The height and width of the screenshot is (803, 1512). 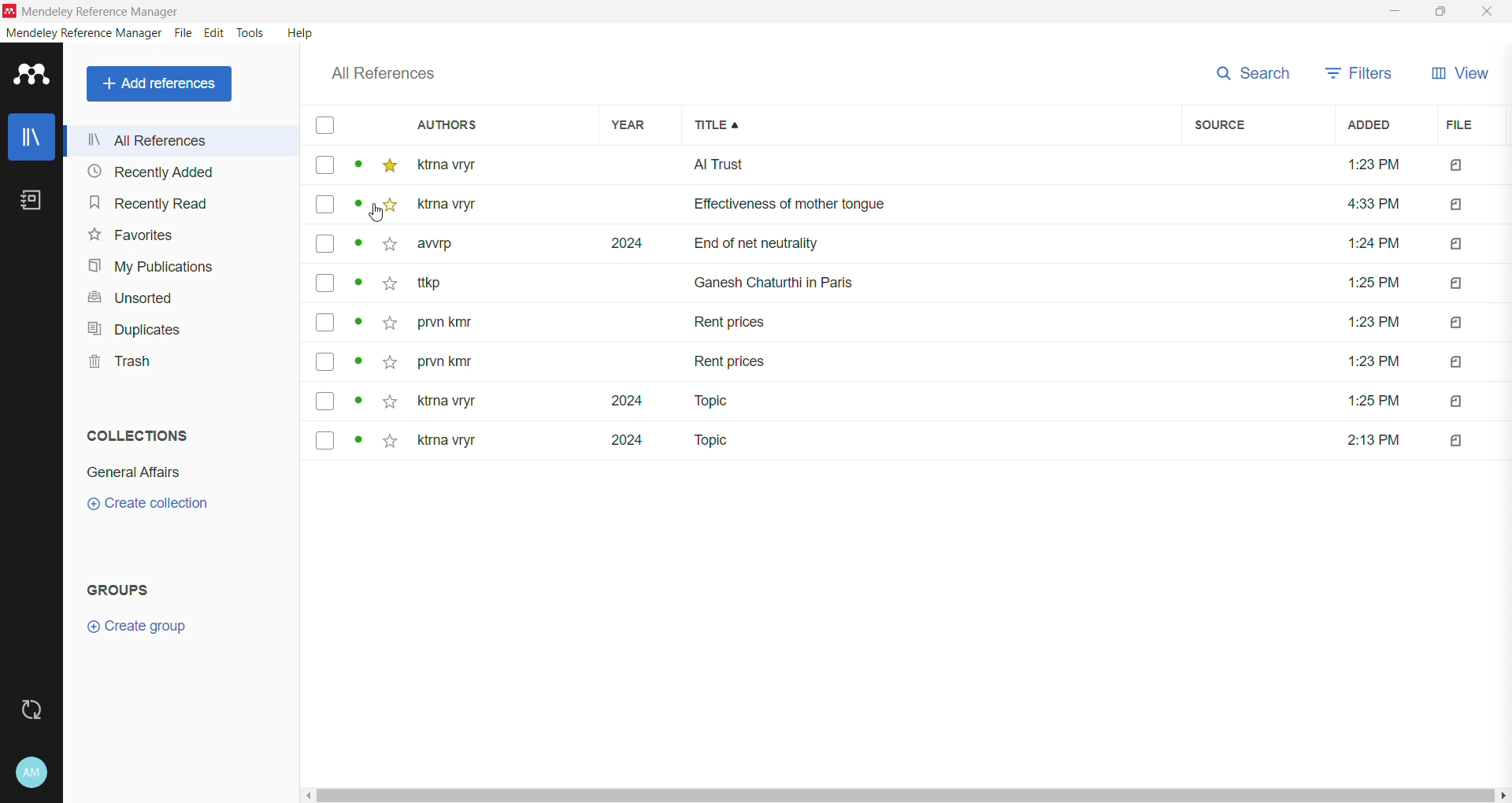 What do you see at coordinates (185, 33) in the screenshot?
I see `File` at bounding box center [185, 33].